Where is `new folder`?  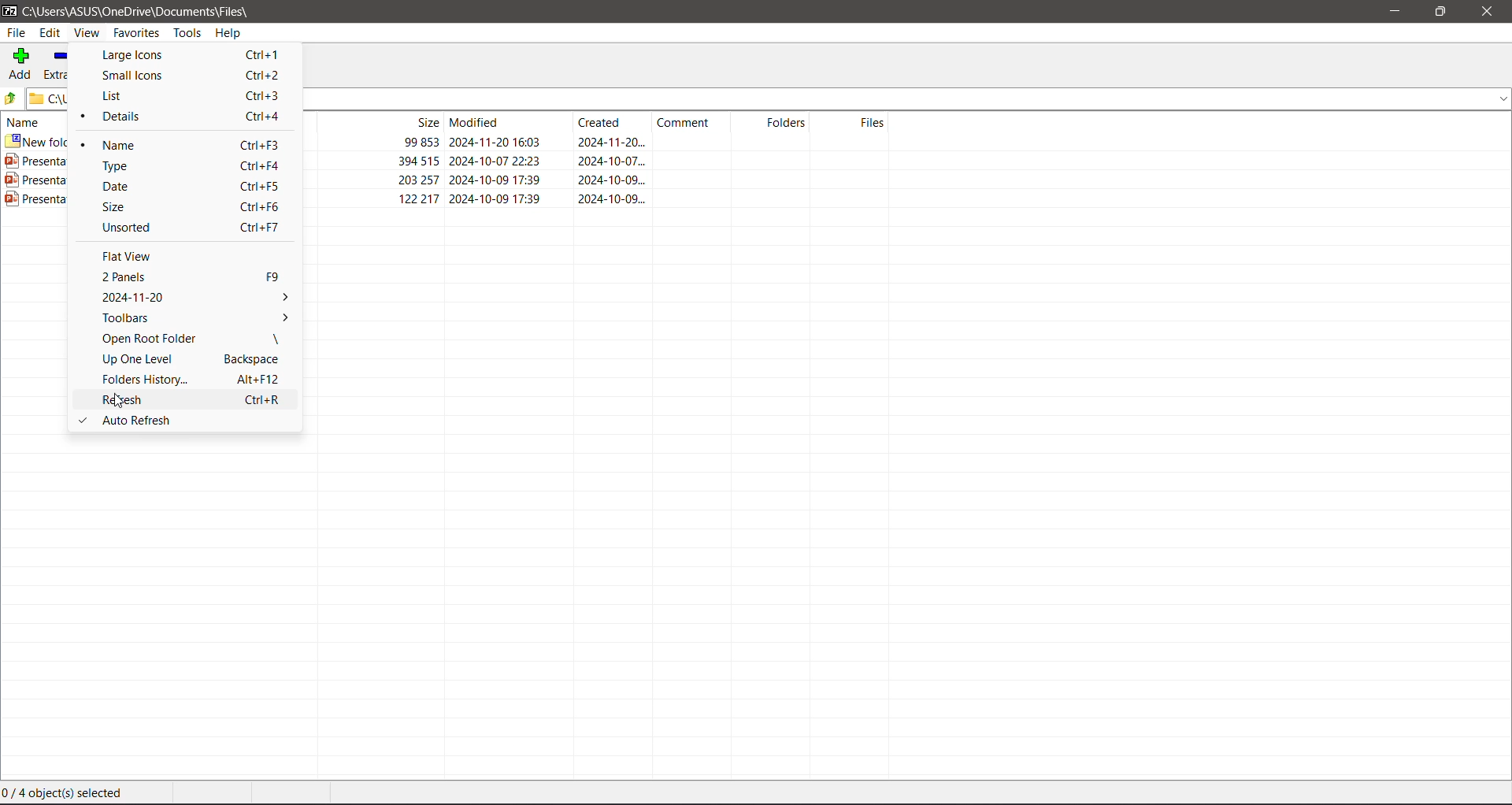 new folder is located at coordinates (598, 139).